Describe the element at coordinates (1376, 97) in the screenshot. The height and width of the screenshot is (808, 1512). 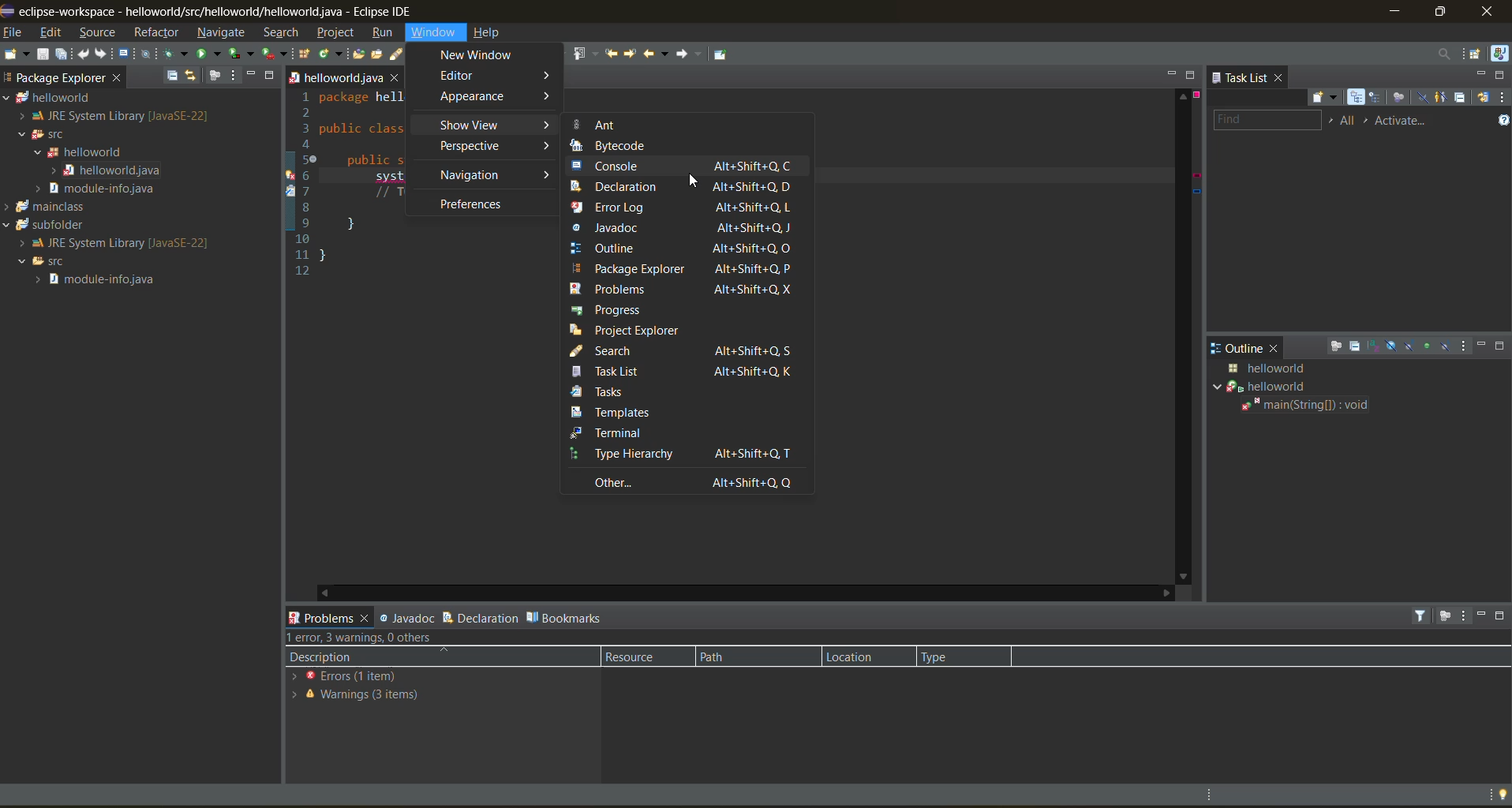
I see `scheduled` at that location.